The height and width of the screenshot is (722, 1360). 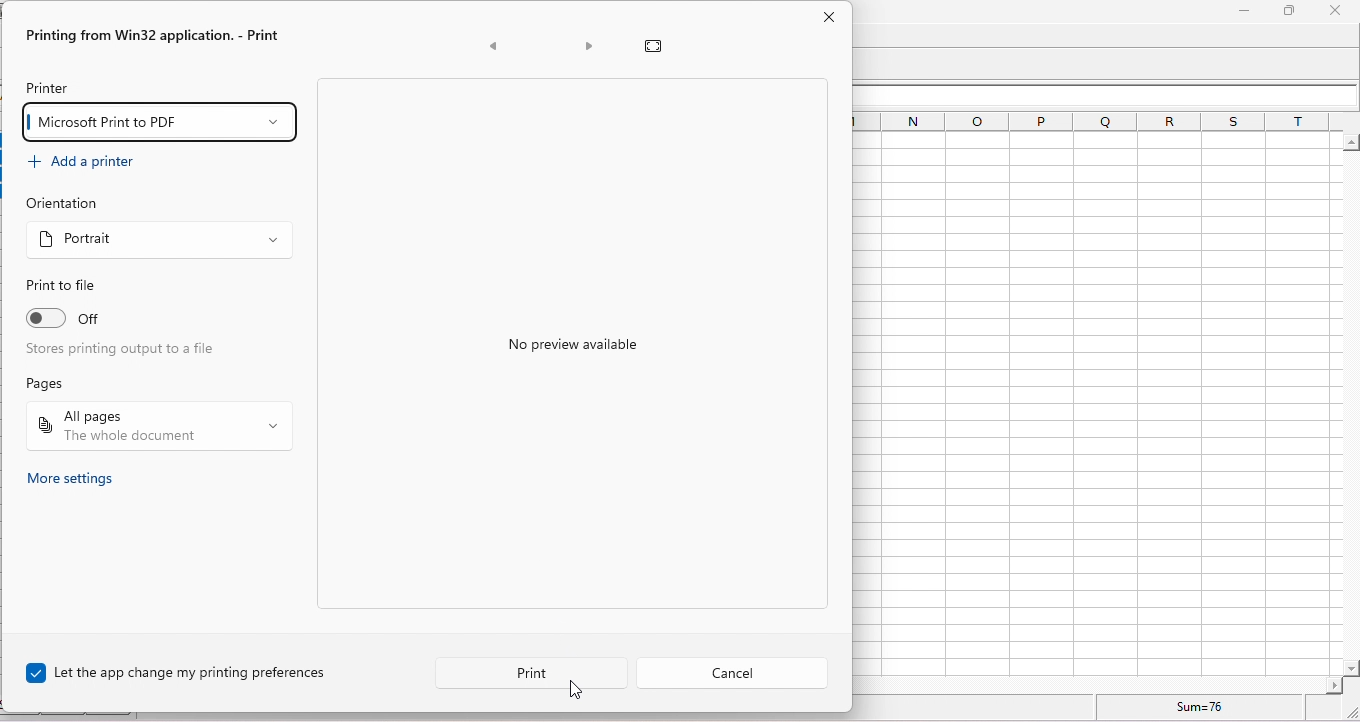 What do you see at coordinates (657, 45) in the screenshot?
I see `reset zoom` at bounding box center [657, 45].